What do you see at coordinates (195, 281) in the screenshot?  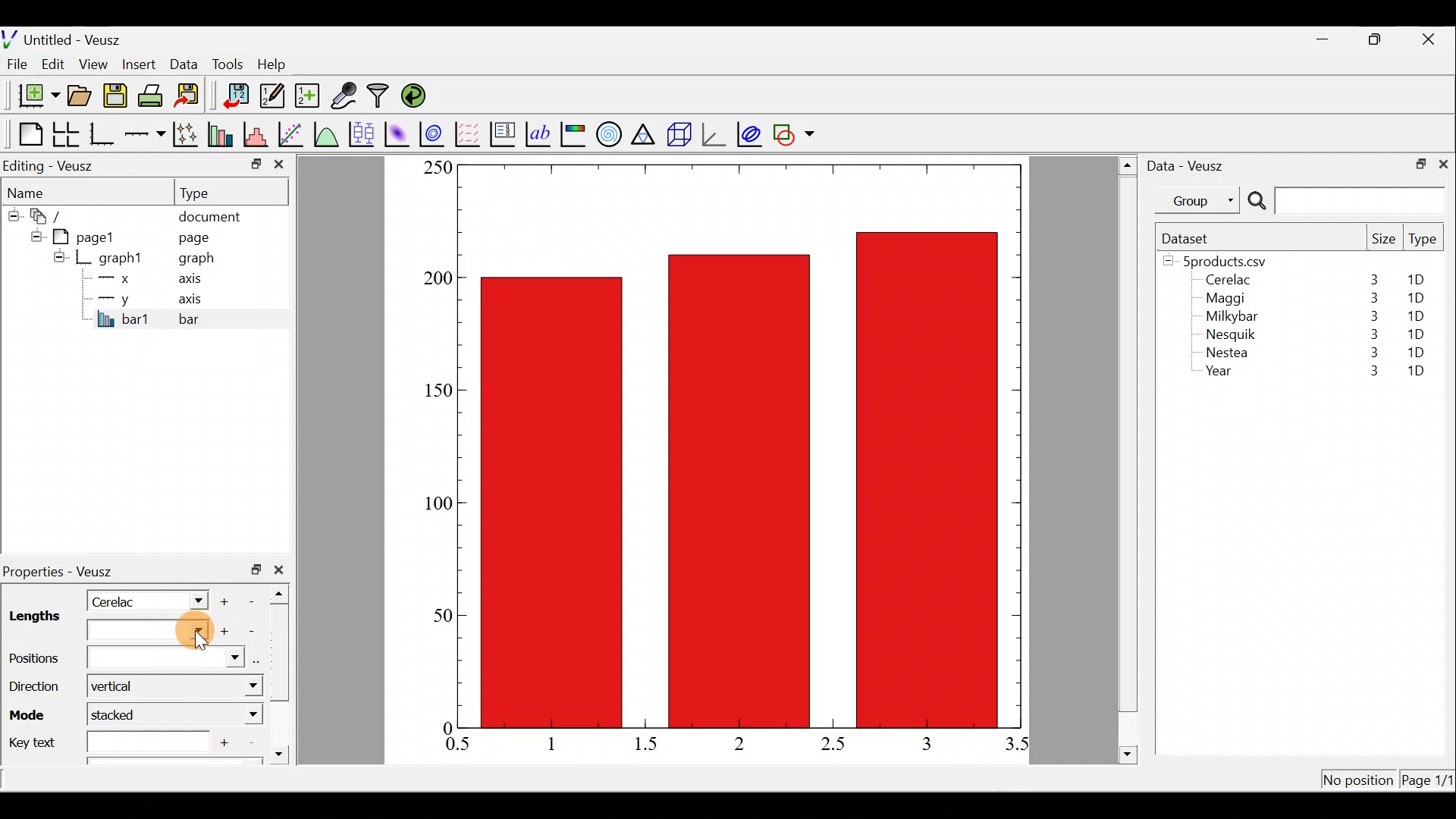 I see `axis` at bounding box center [195, 281].